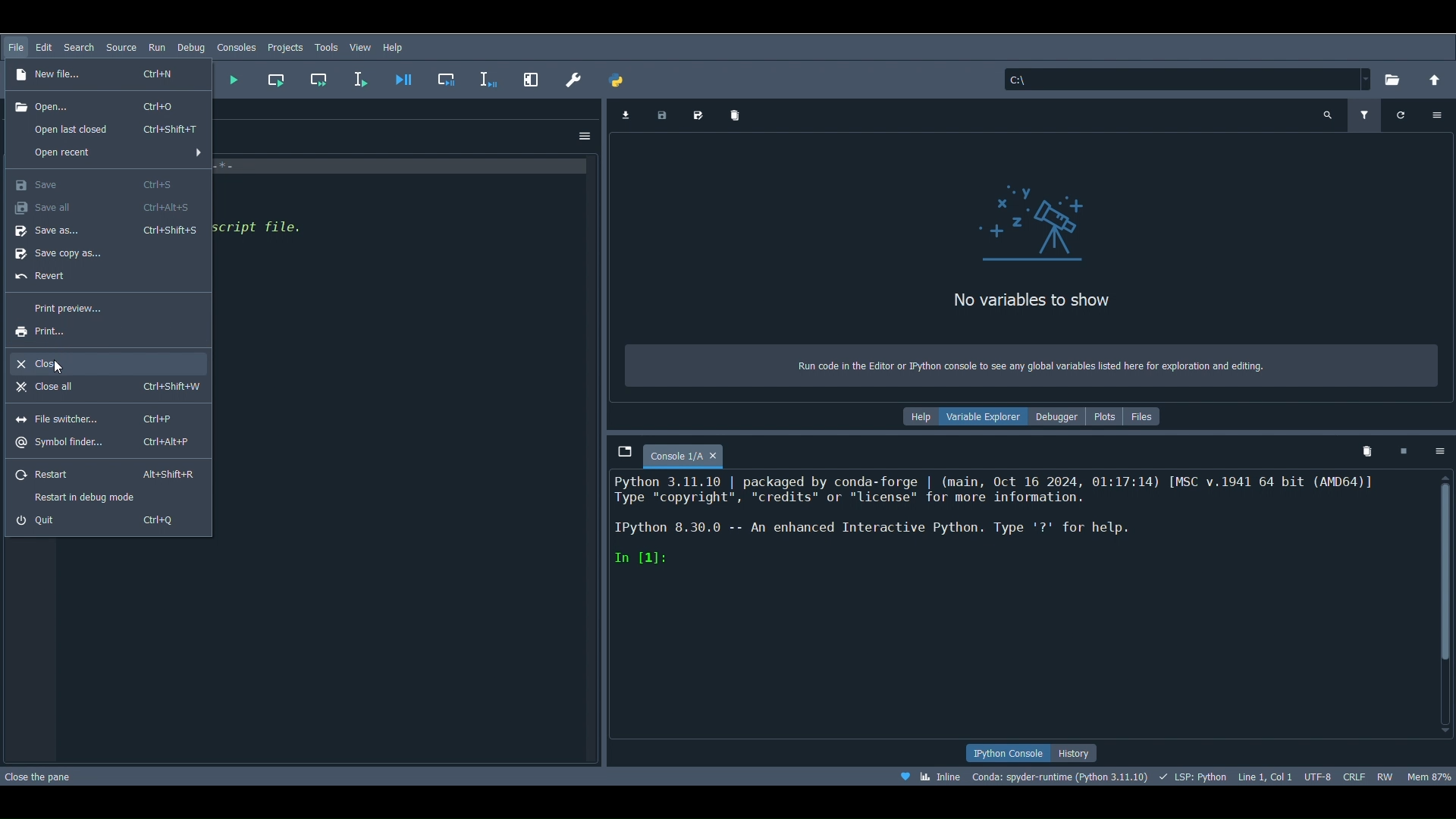  What do you see at coordinates (1193, 777) in the screenshot?
I see `Completions, linting, code folding and symbols status` at bounding box center [1193, 777].